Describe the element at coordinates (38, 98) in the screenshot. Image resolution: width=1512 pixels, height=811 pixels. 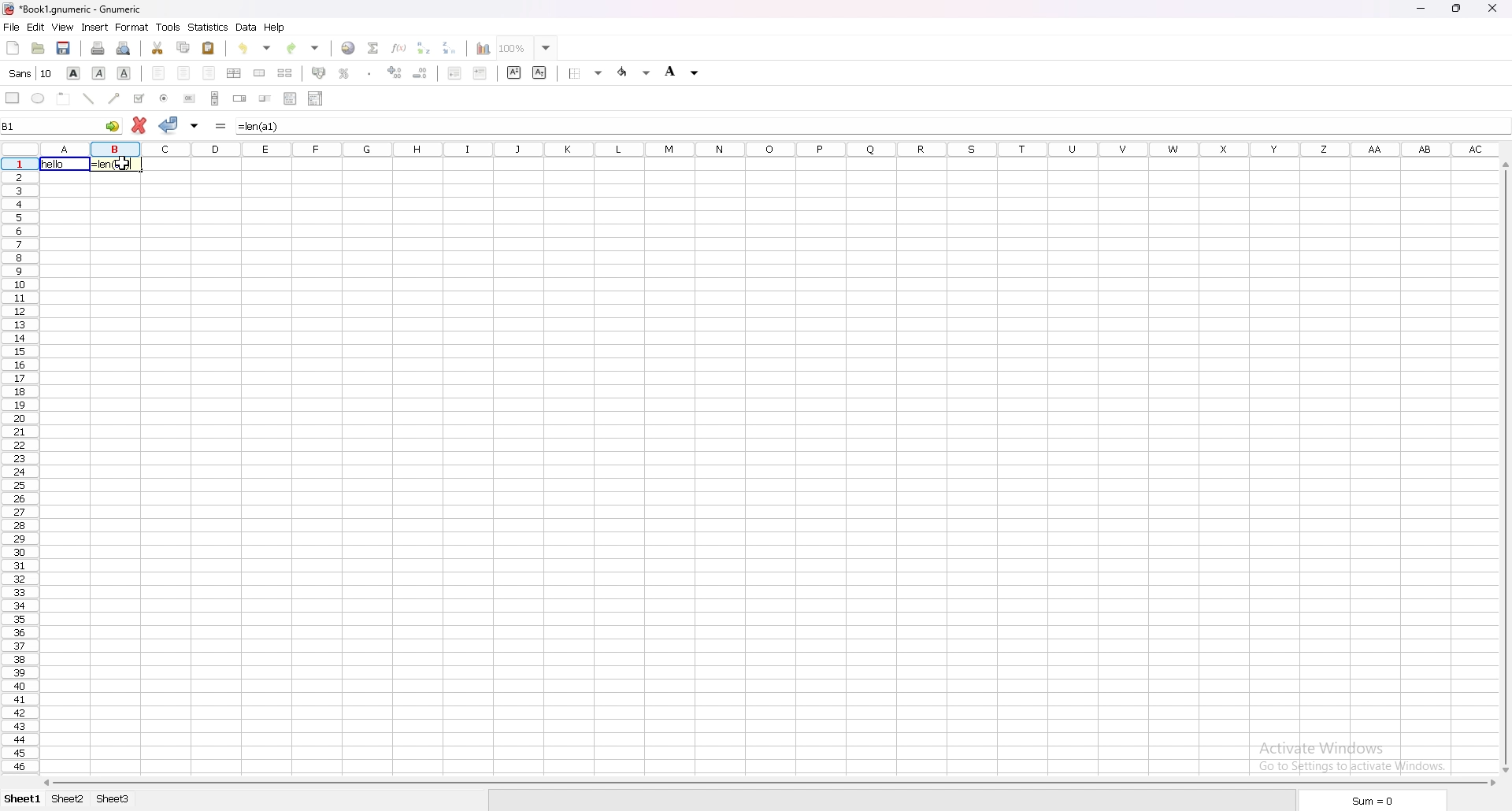
I see `ellipse object` at that location.